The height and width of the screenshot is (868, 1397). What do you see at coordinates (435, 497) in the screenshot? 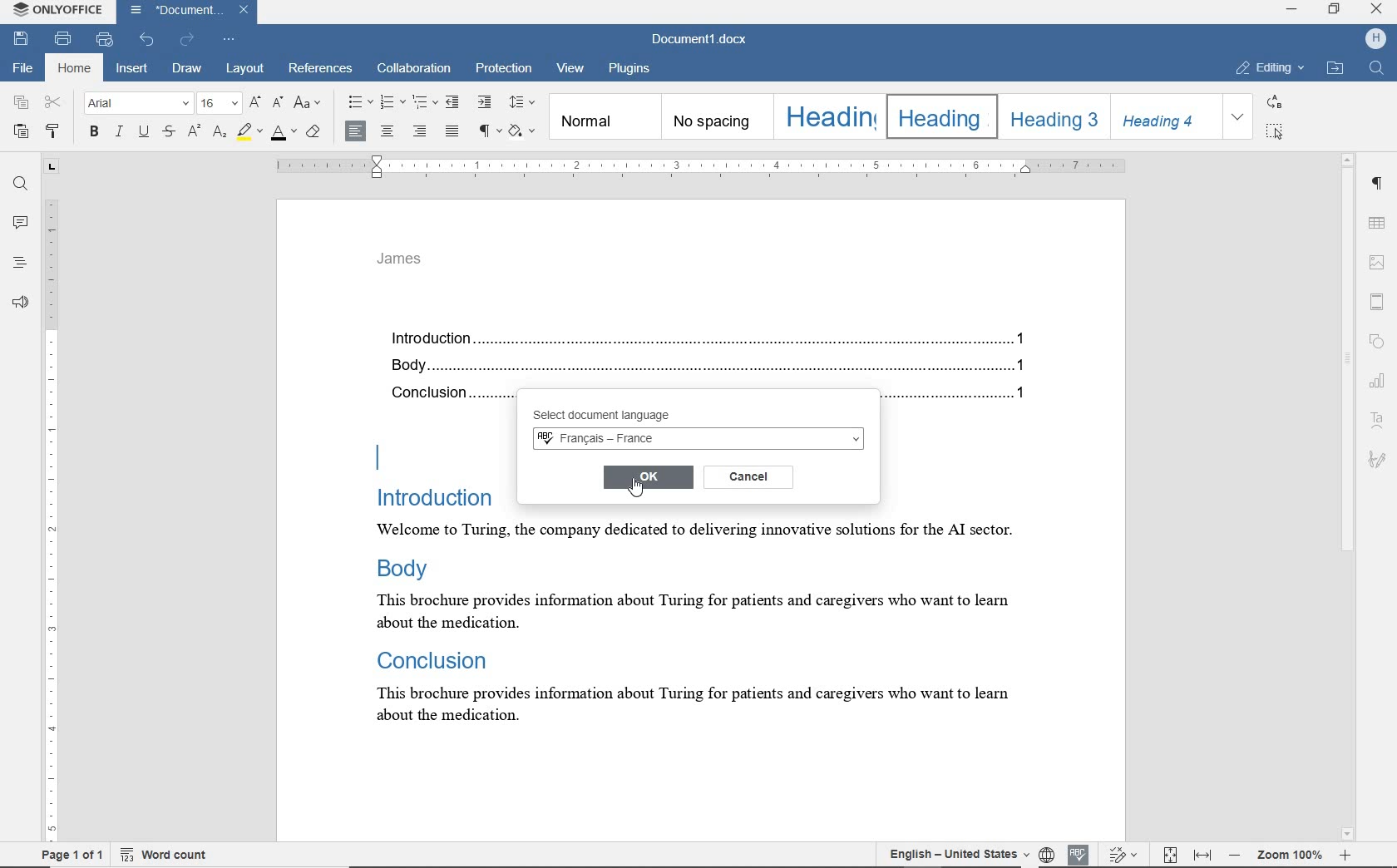
I see `Introduction` at bounding box center [435, 497].